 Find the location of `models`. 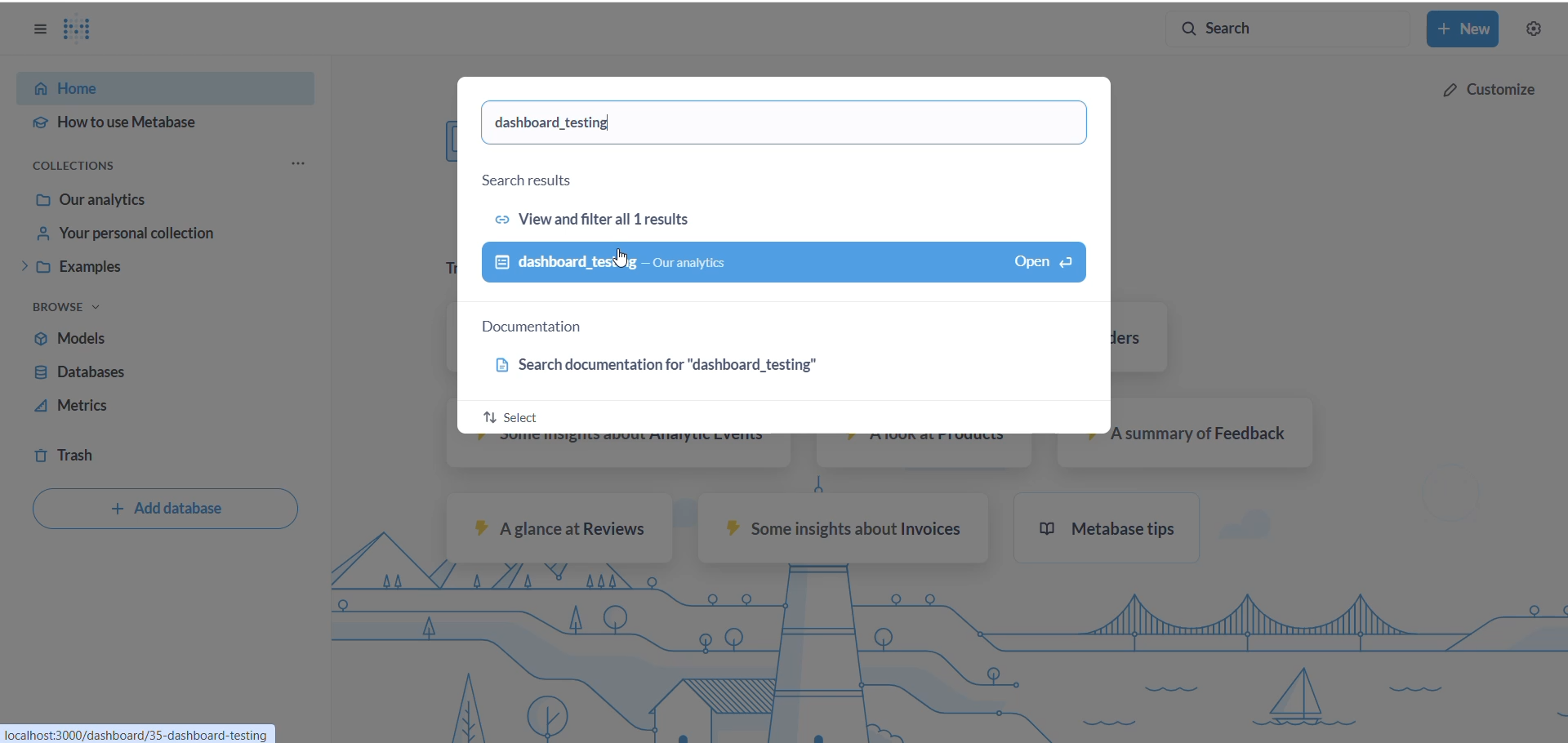

models is located at coordinates (133, 339).